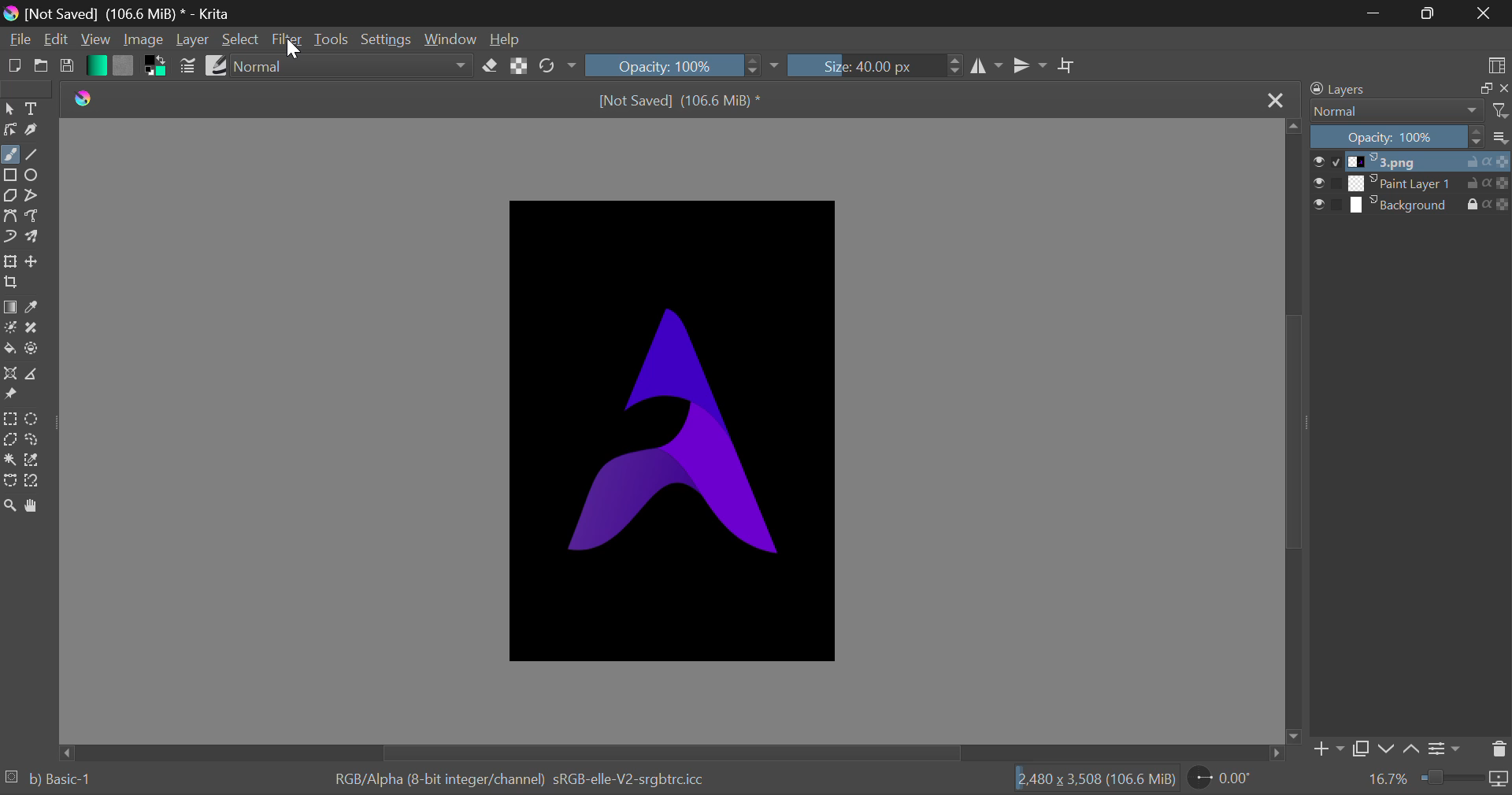 The image size is (1512, 795). What do you see at coordinates (38, 505) in the screenshot?
I see `Pan` at bounding box center [38, 505].